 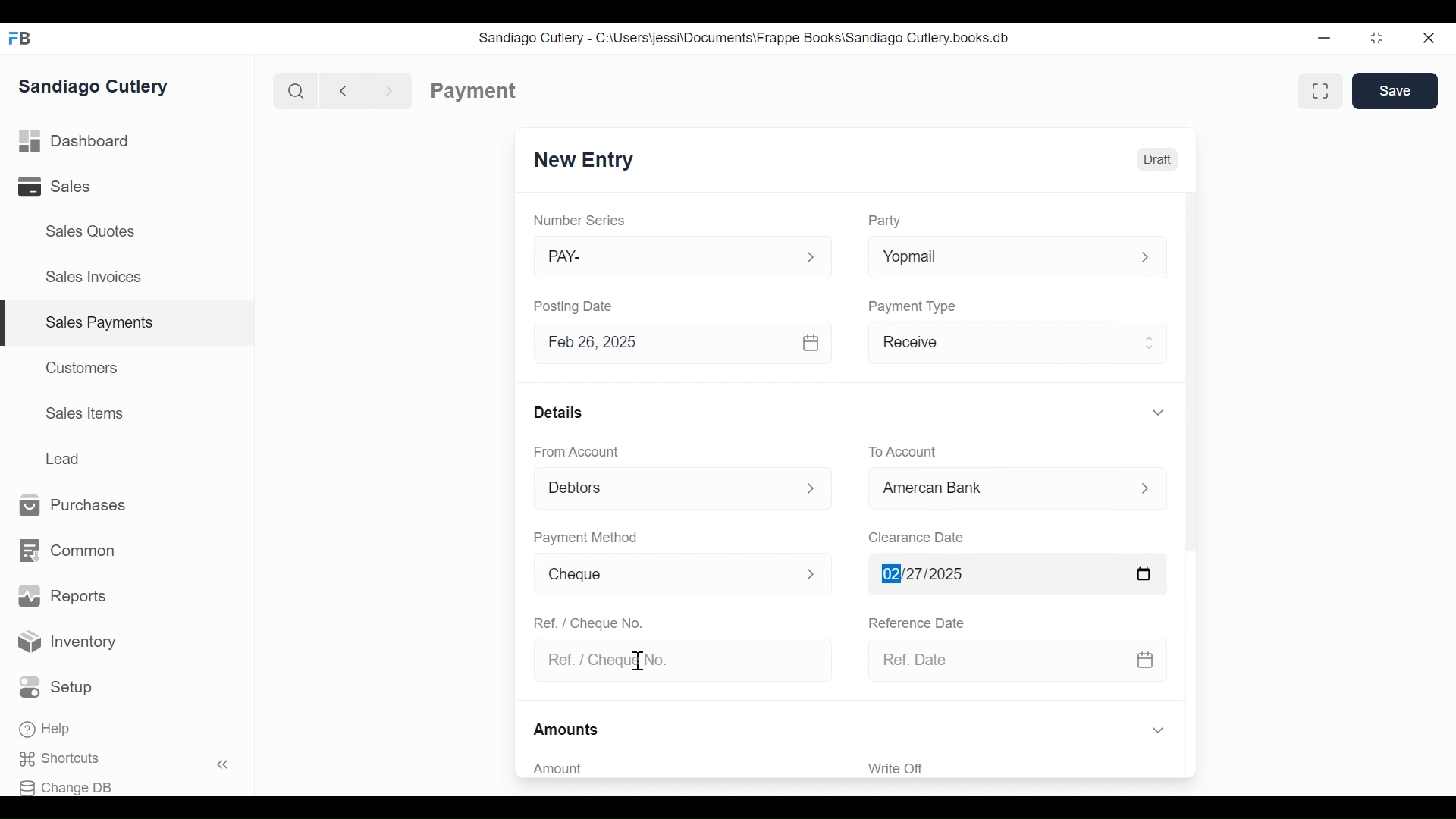 I want to click on Expand, so click(x=811, y=258).